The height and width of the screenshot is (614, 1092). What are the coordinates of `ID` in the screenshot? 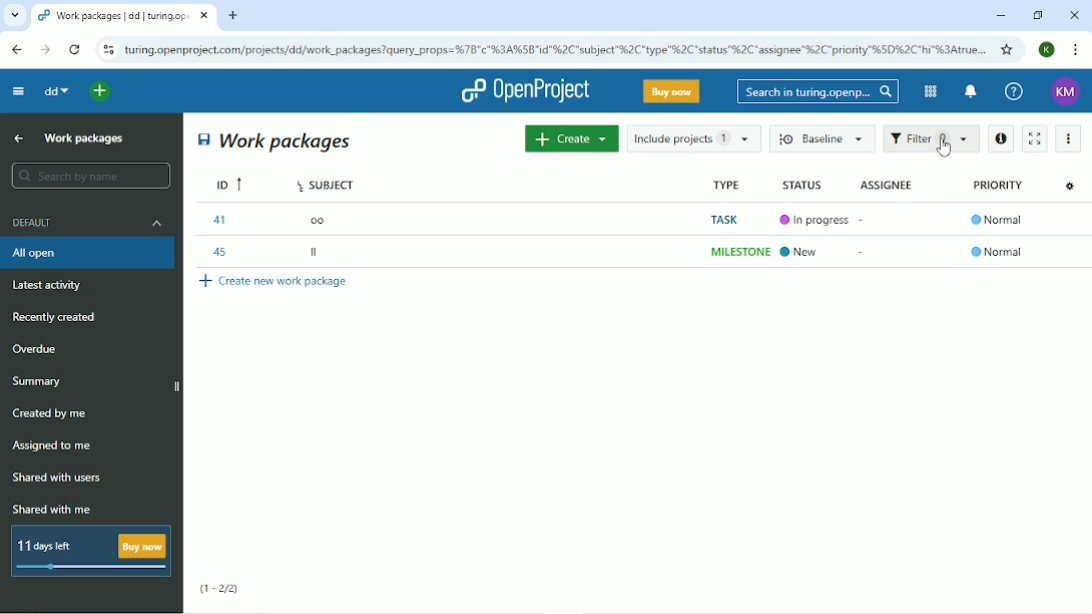 It's located at (227, 183).